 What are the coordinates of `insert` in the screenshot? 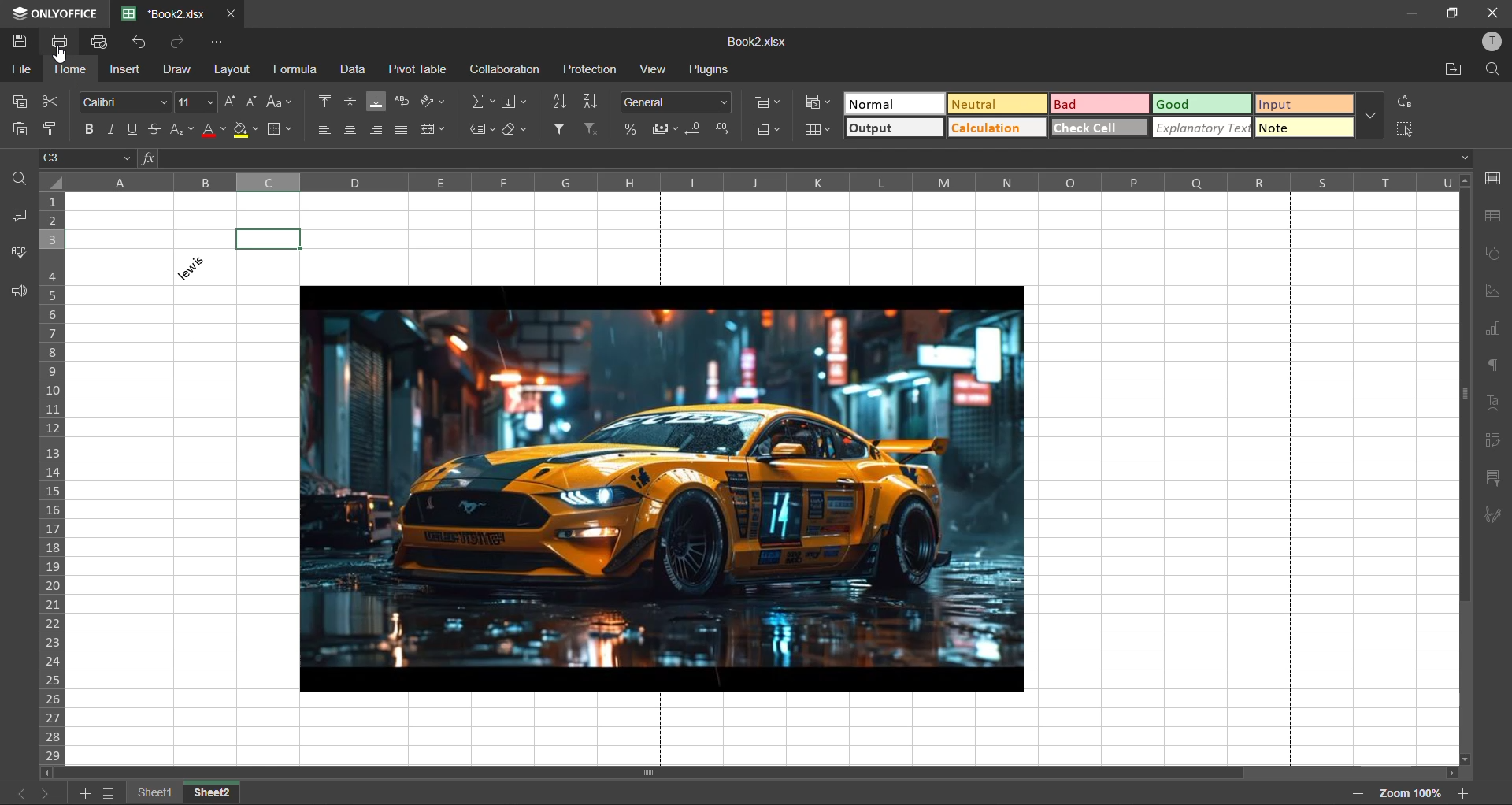 It's located at (122, 69).